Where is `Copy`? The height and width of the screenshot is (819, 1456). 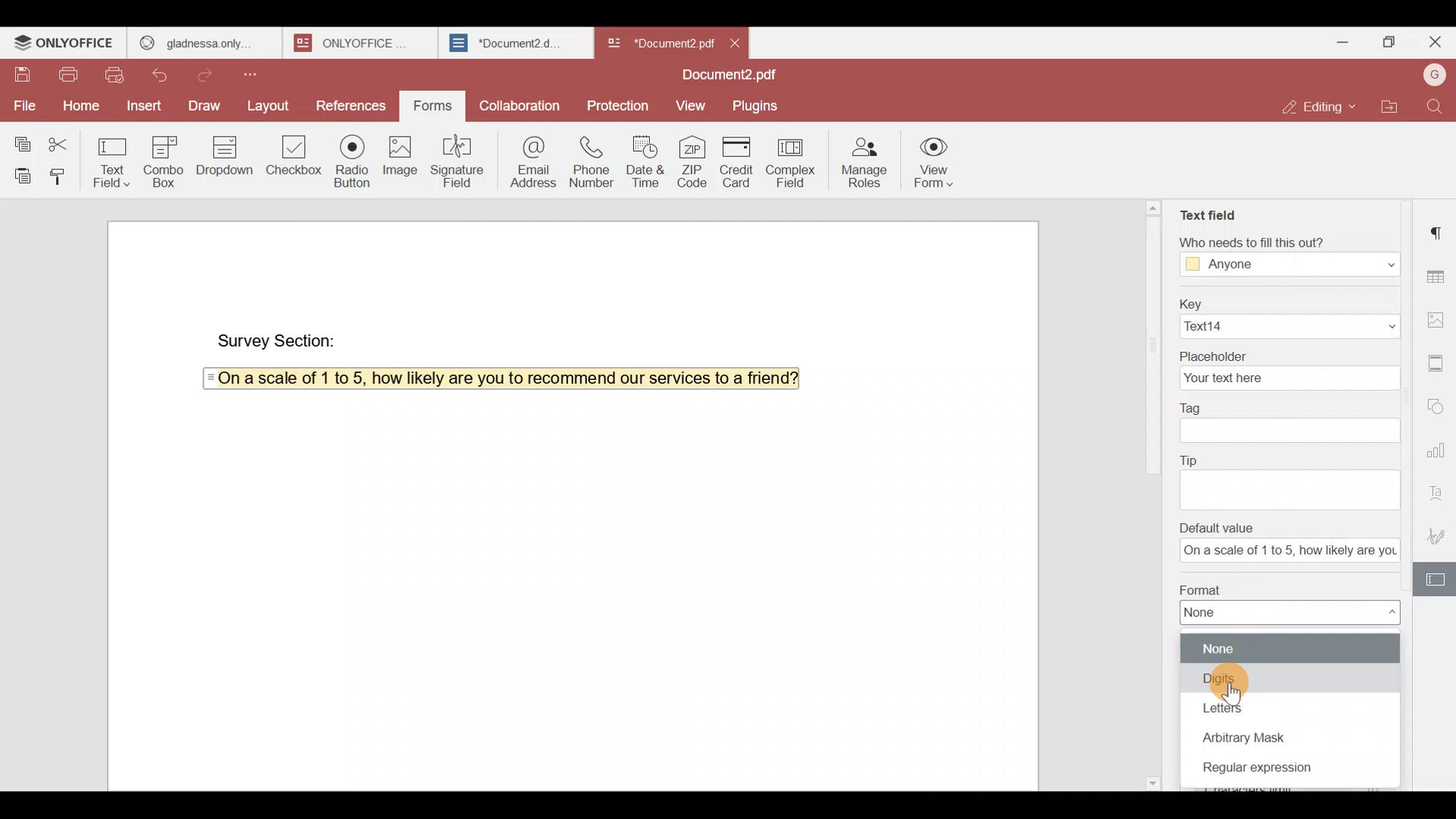 Copy is located at coordinates (22, 137).